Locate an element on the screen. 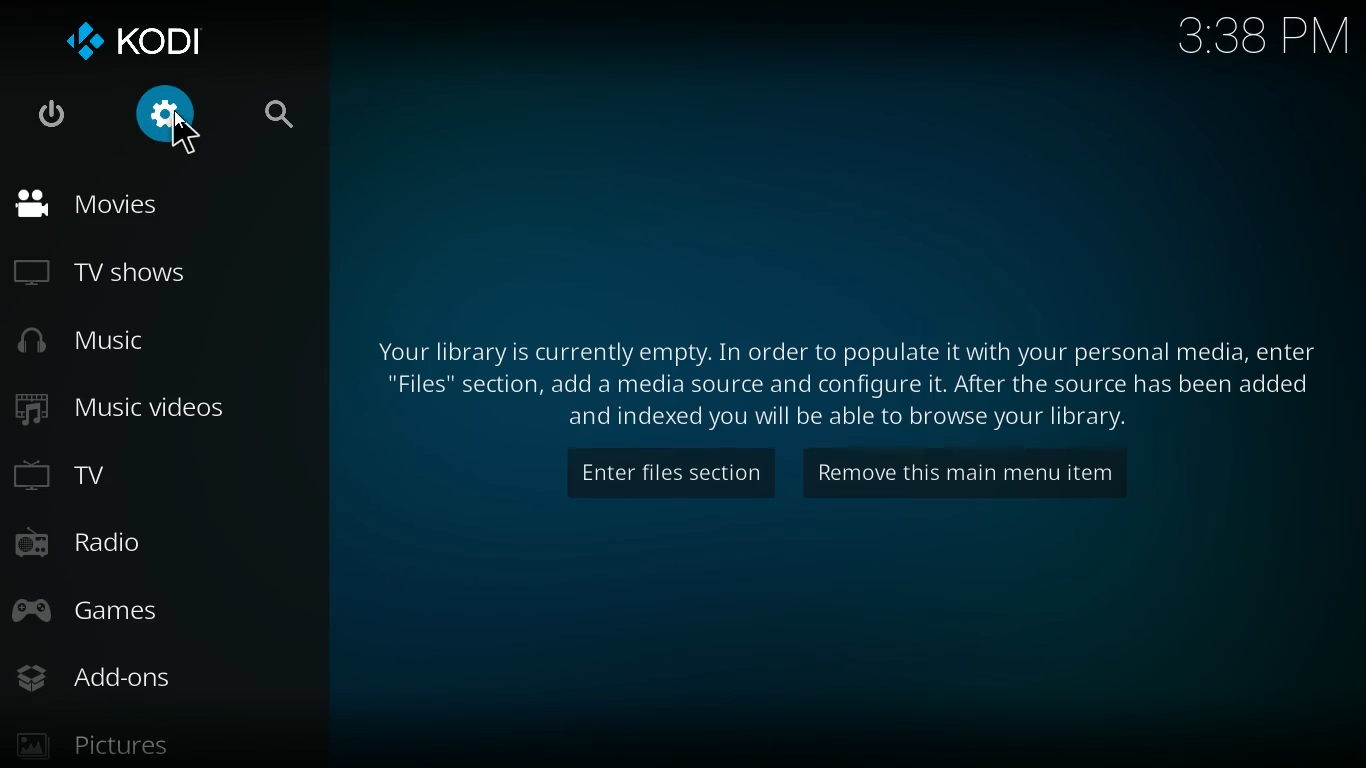 This screenshot has width=1366, height=768. tv shows is located at coordinates (149, 269).